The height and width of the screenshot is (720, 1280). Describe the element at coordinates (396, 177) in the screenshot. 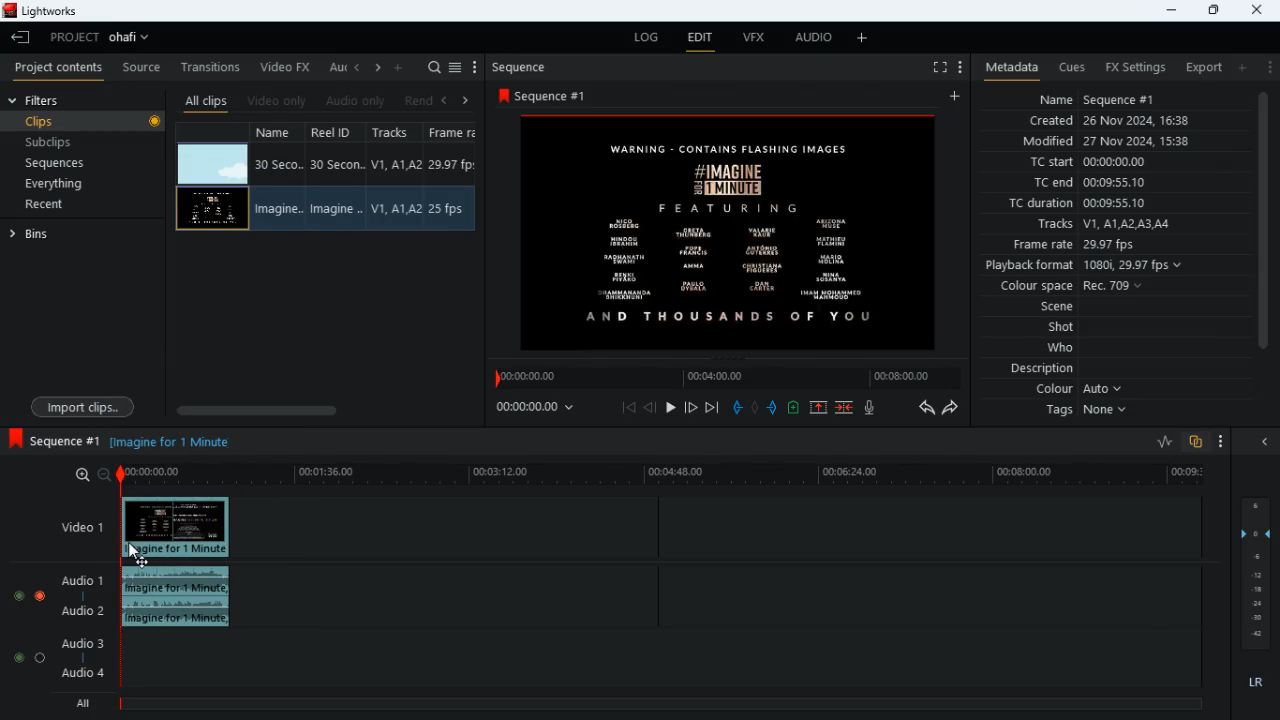

I see `tracks` at that location.